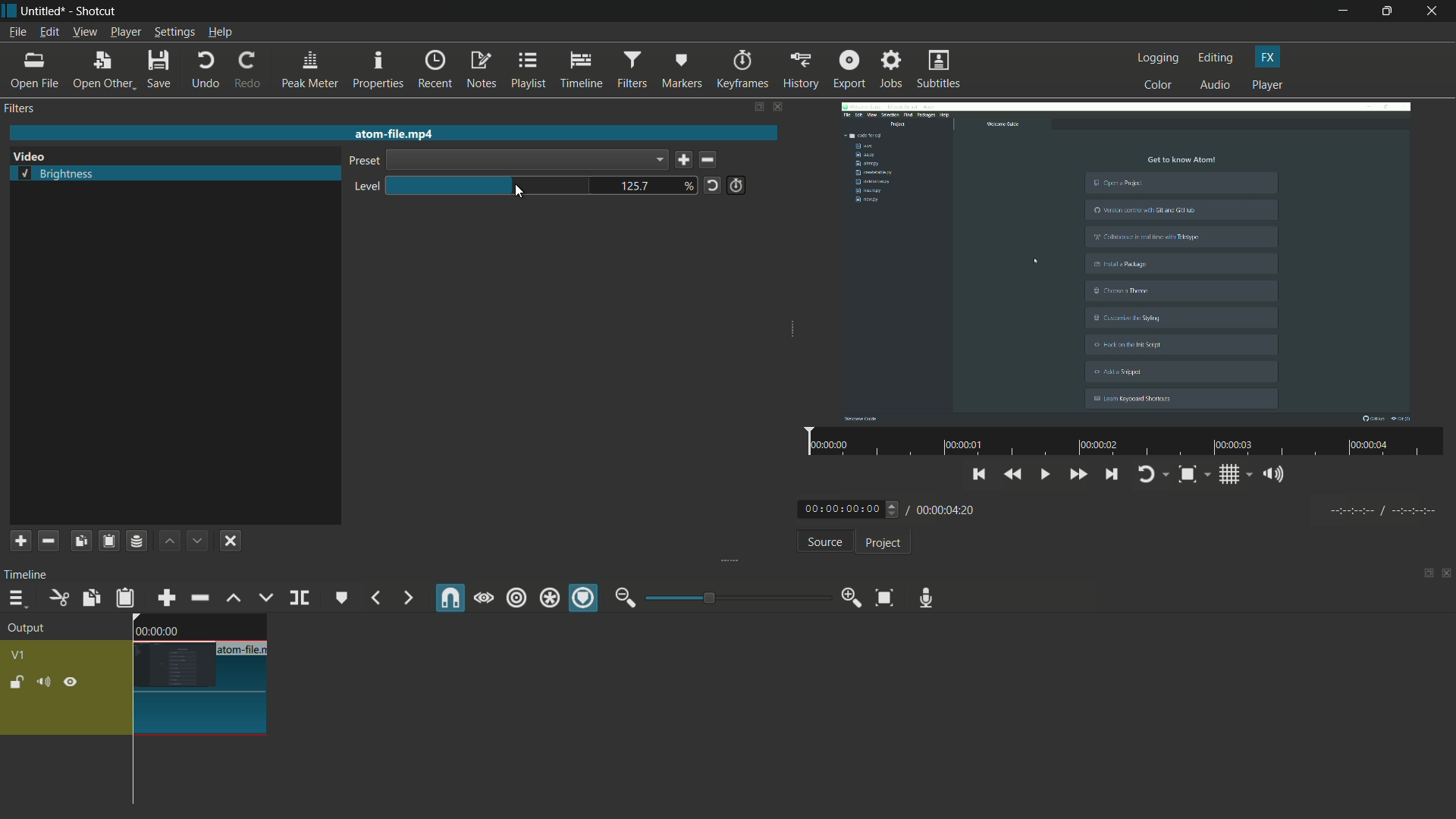 This screenshot has width=1456, height=819. I want to click on preset, so click(362, 162).